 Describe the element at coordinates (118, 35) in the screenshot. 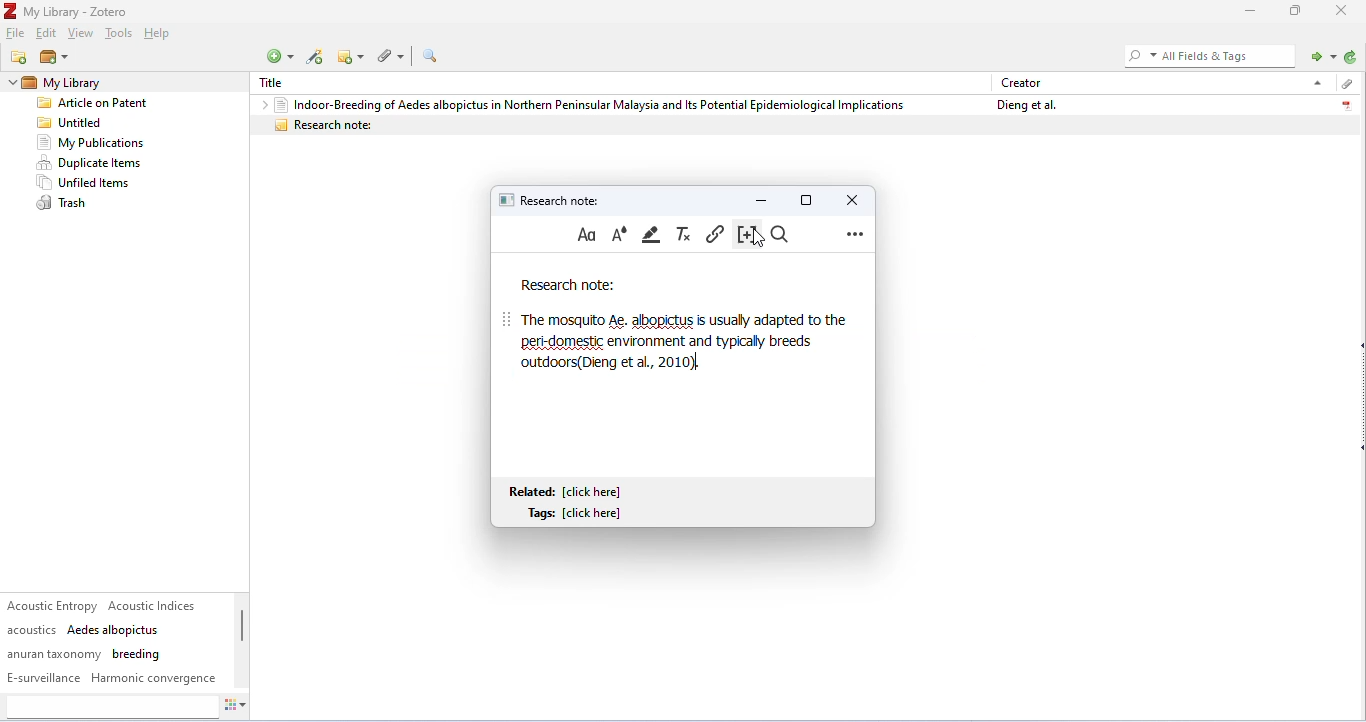

I see `tools` at that location.